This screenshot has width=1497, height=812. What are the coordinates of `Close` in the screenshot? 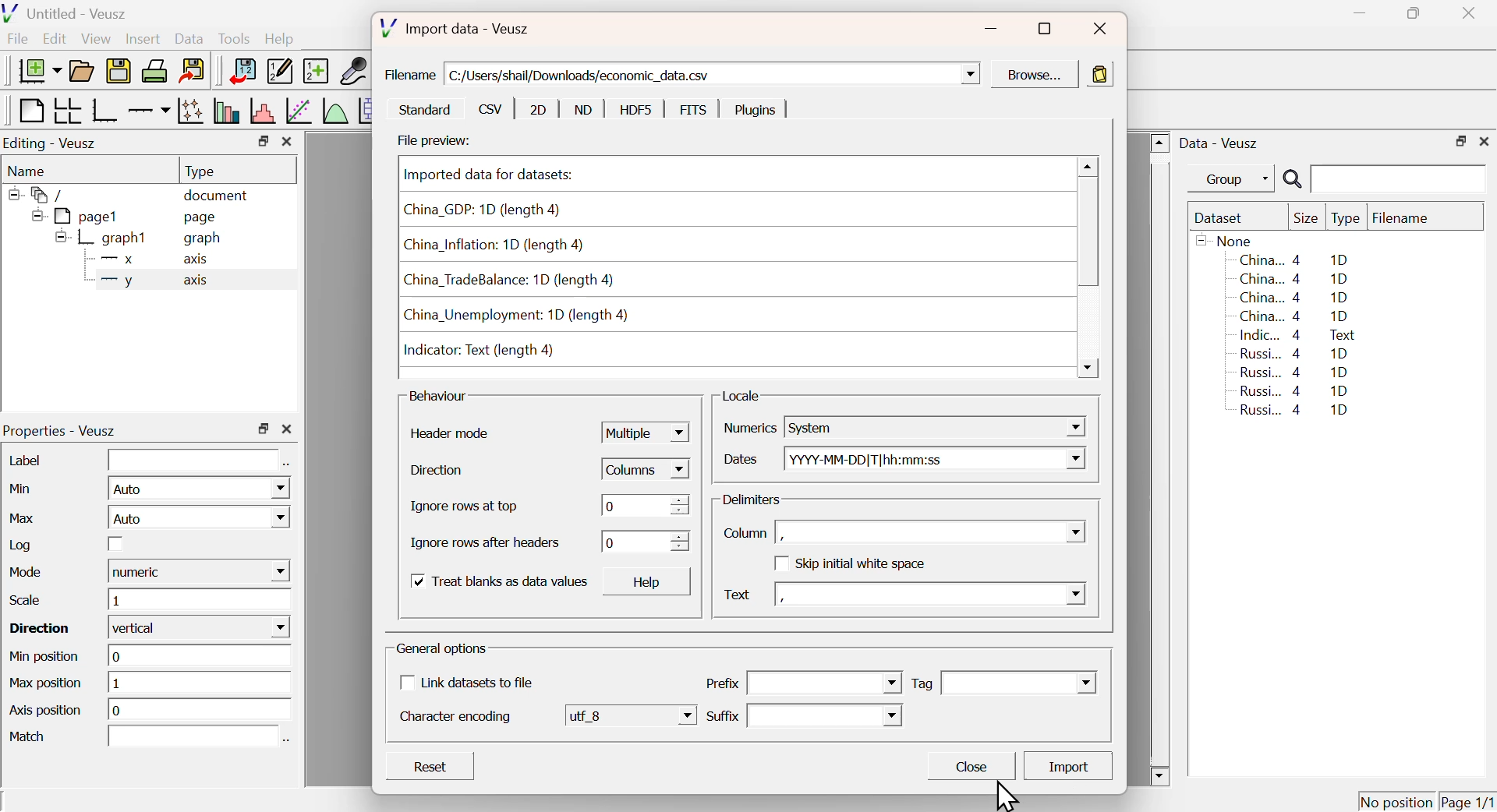 It's located at (287, 142).